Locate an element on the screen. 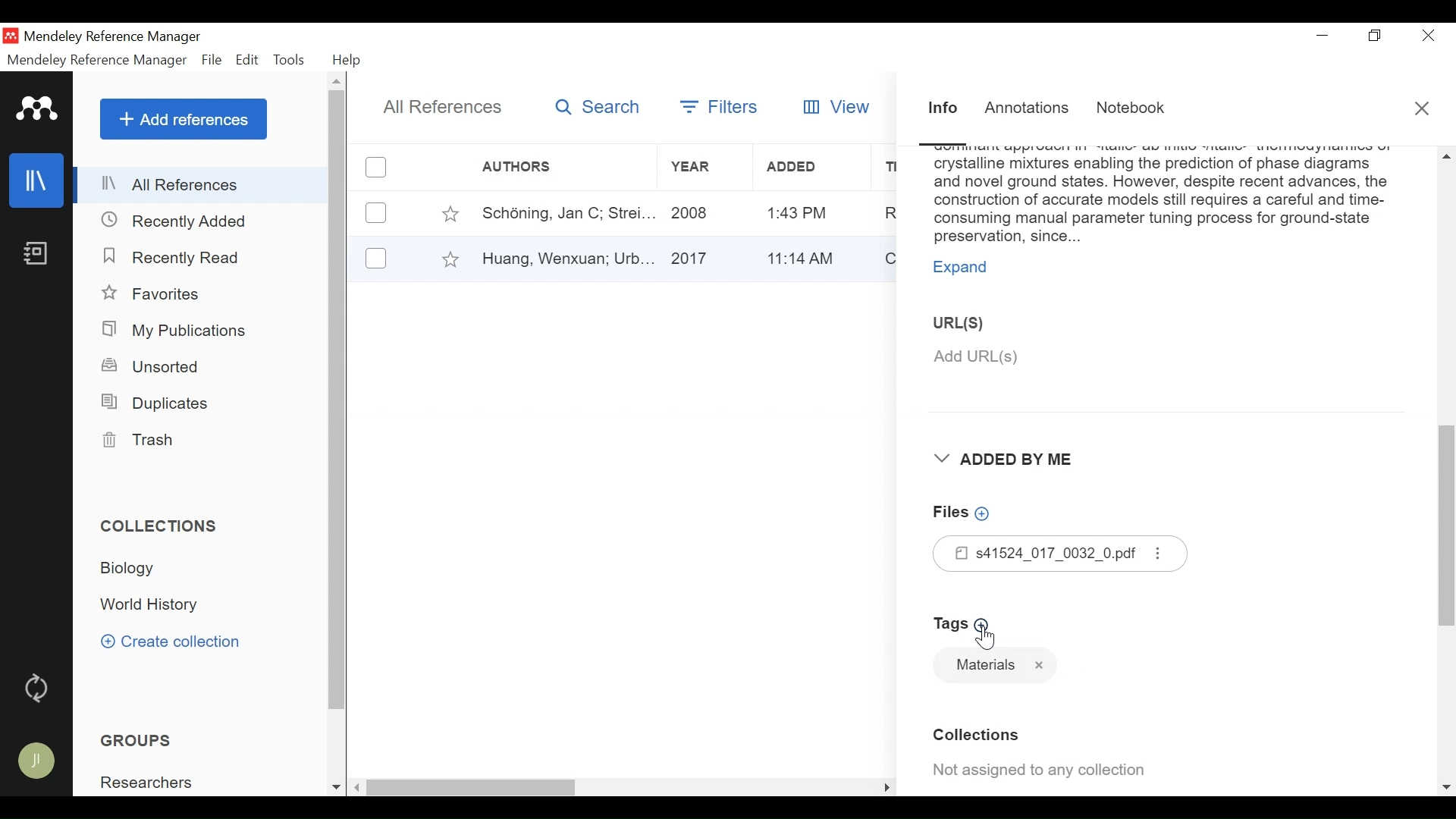 The width and height of the screenshot is (1456, 819). Added is located at coordinates (808, 212).